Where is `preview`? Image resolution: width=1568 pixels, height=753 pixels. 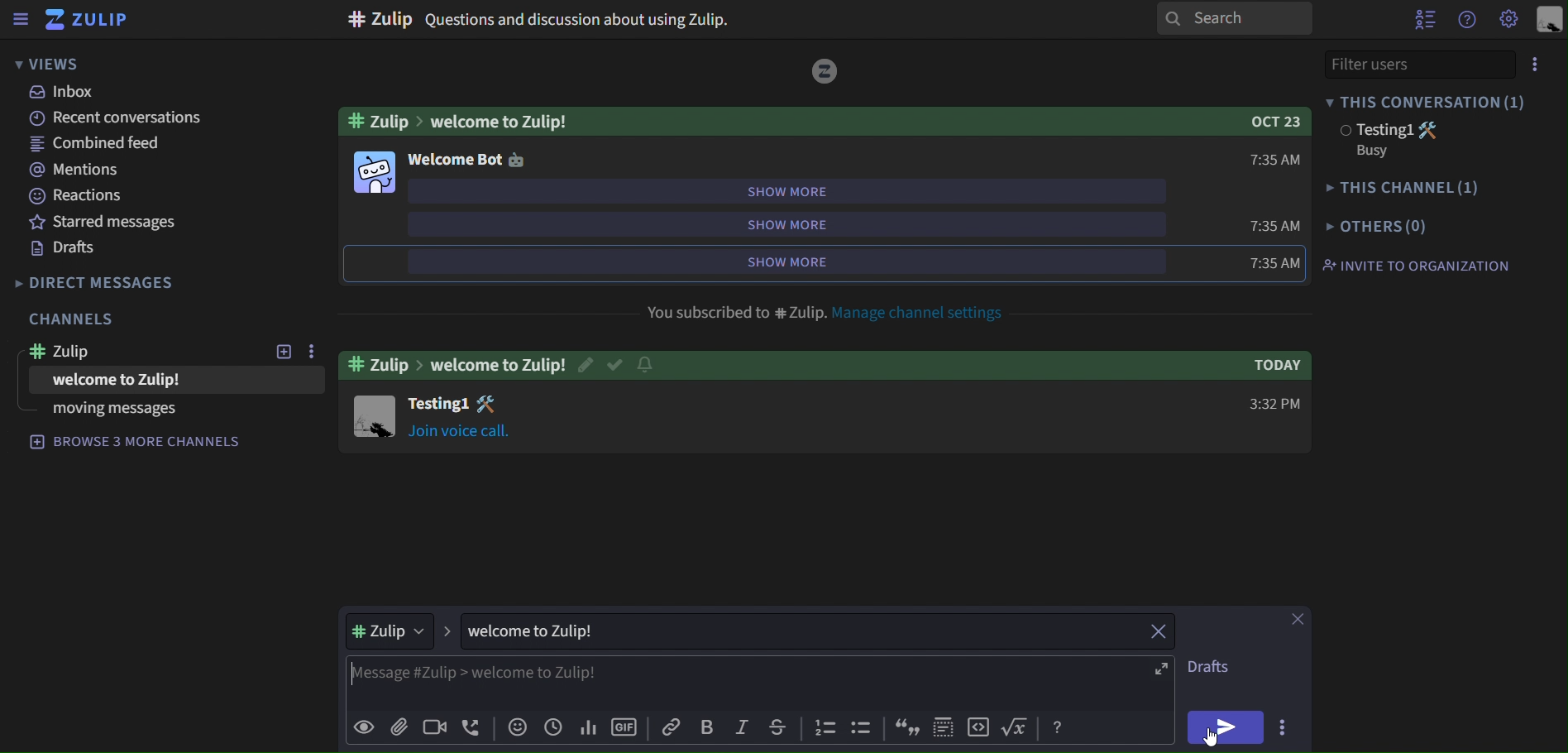 preview is located at coordinates (361, 725).